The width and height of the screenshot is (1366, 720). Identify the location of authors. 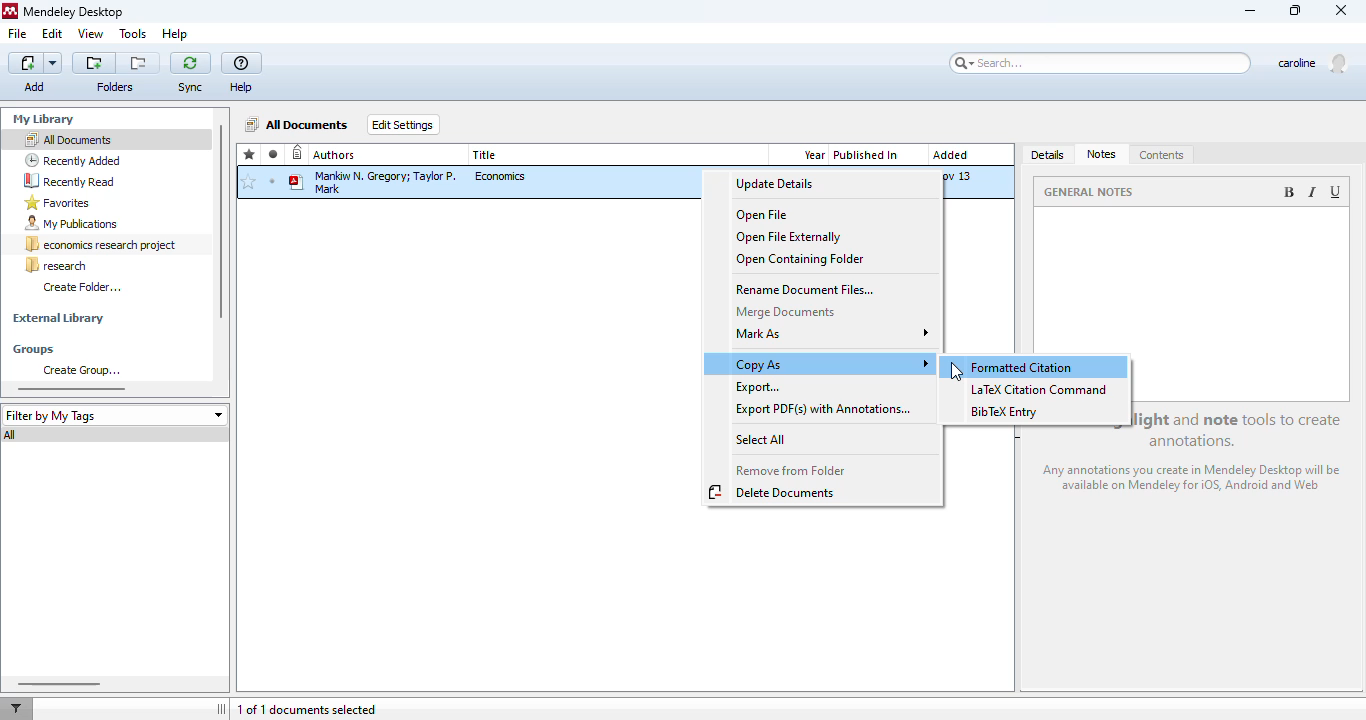
(335, 155).